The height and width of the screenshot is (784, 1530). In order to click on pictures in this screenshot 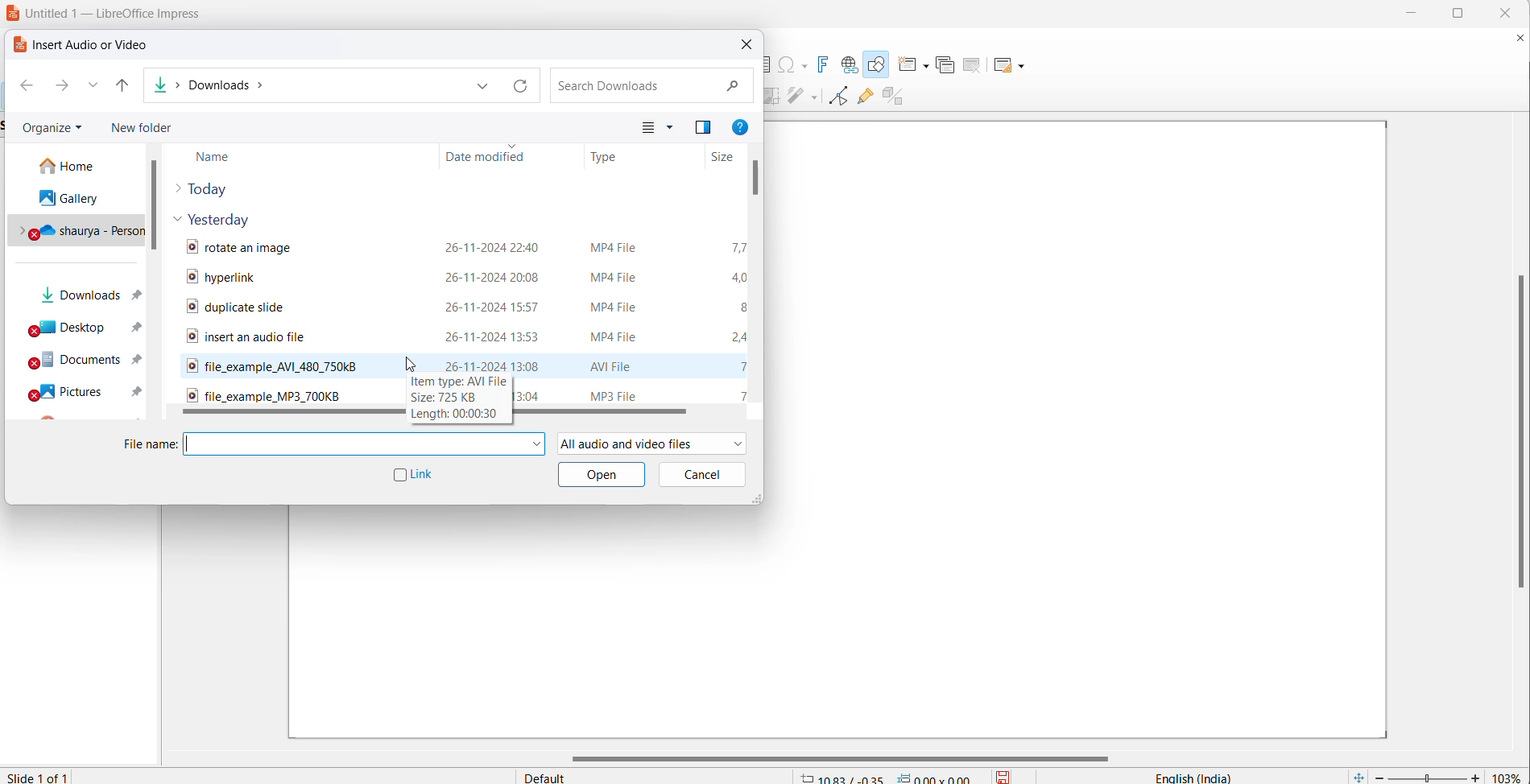, I will do `click(82, 392)`.